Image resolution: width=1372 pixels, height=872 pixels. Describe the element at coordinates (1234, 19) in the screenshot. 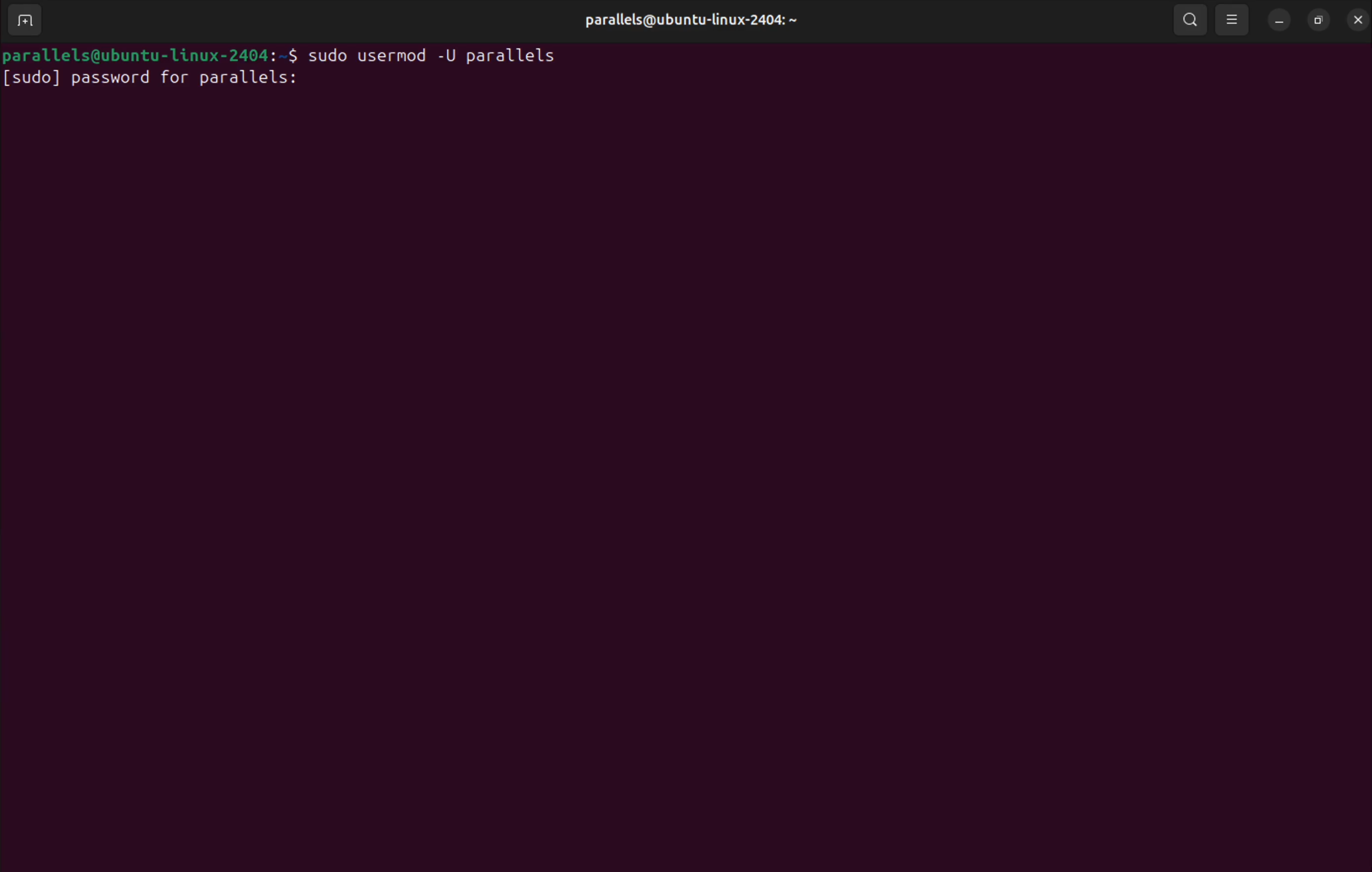

I see `view options` at that location.